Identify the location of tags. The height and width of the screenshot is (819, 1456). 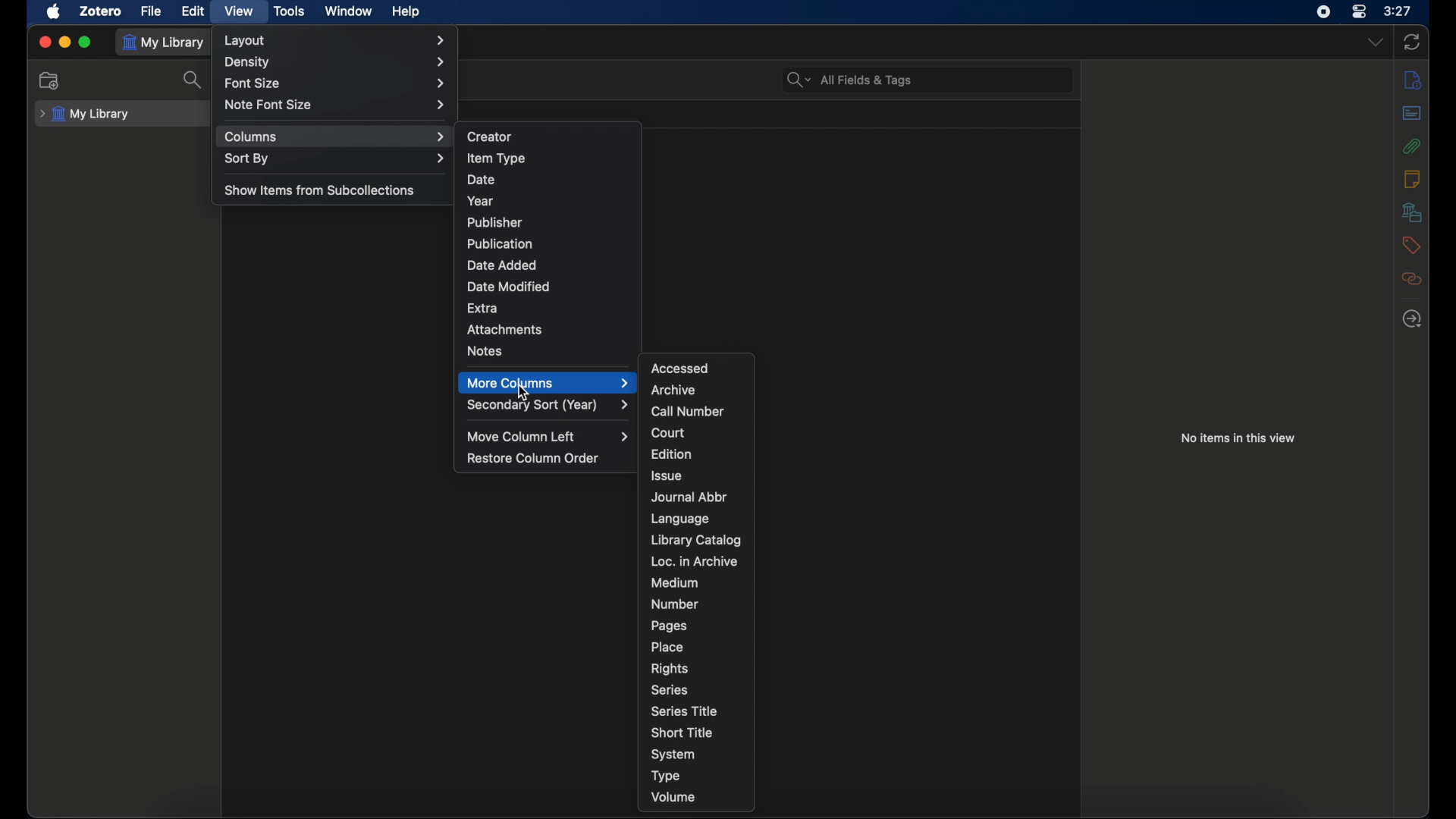
(1410, 245).